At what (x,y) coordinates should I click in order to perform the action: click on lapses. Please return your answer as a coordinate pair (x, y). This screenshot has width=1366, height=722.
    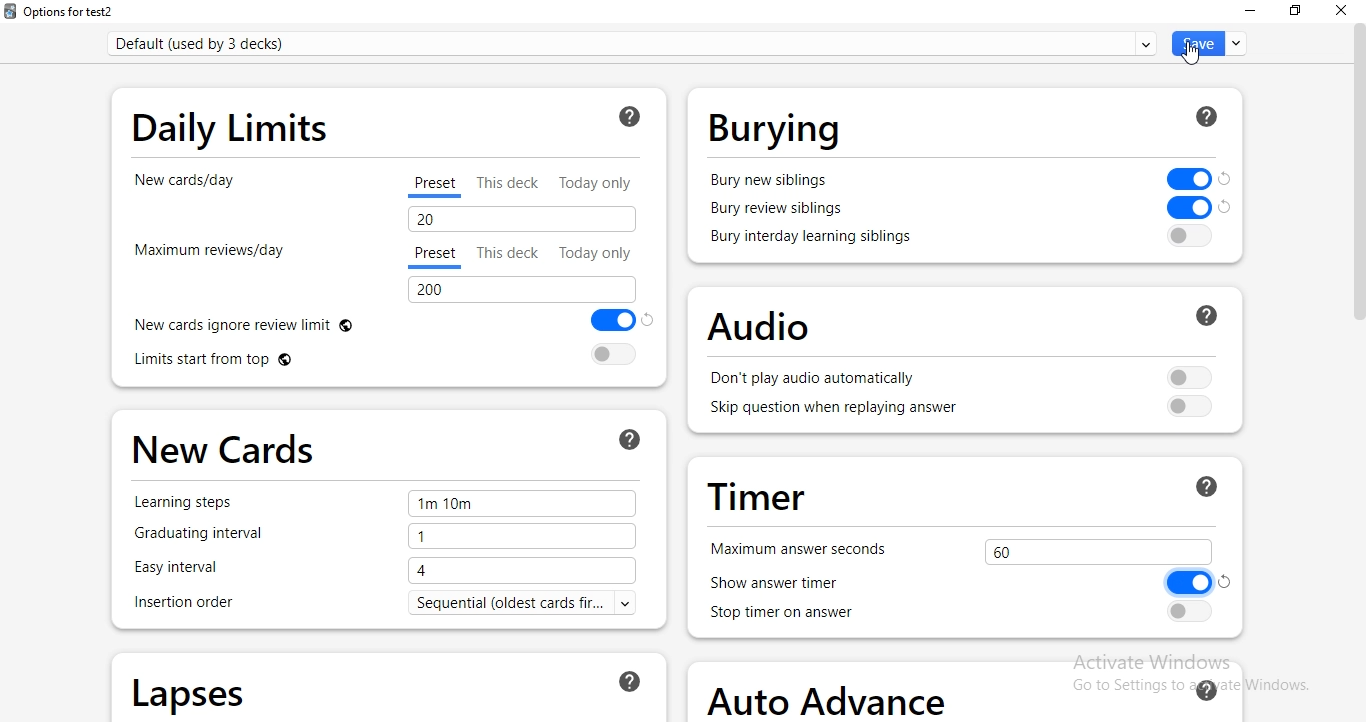
    Looking at the image, I should click on (388, 686).